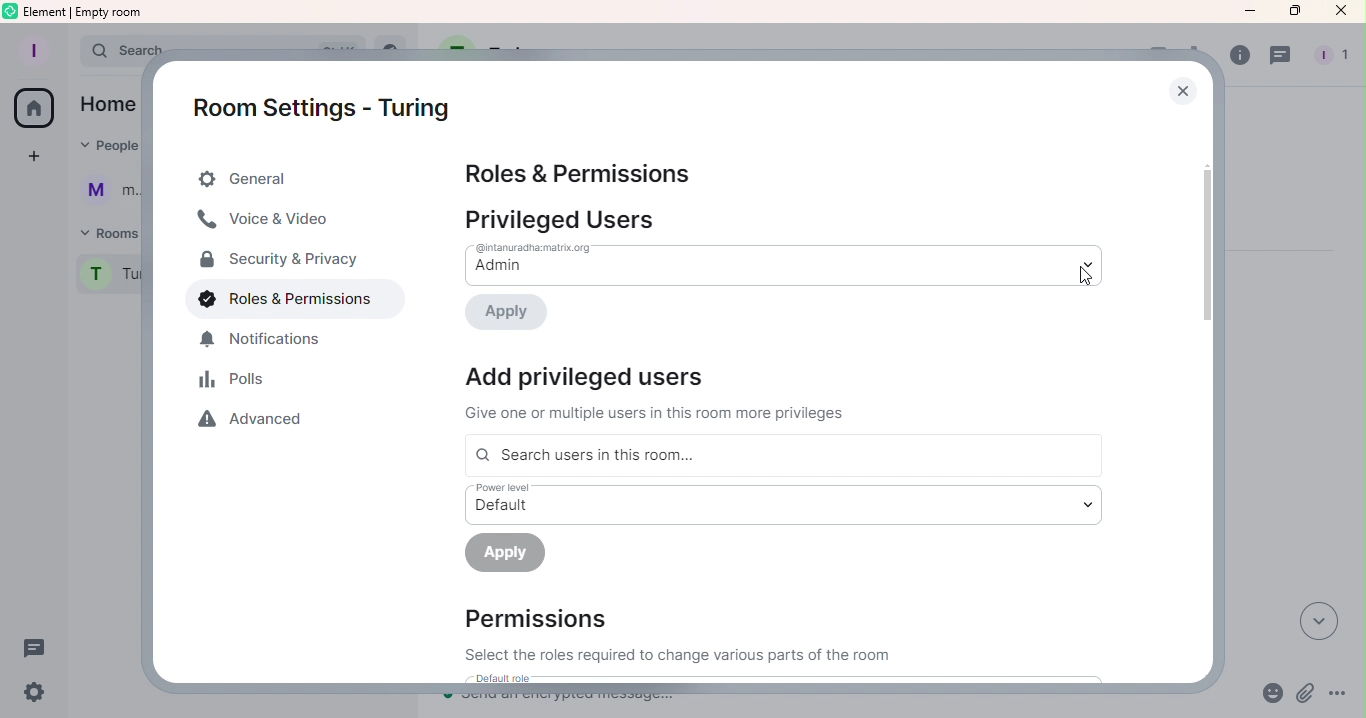 This screenshot has width=1366, height=718. Describe the element at coordinates (569, 220) in the screenshot. I see `Privileged users` at that location.